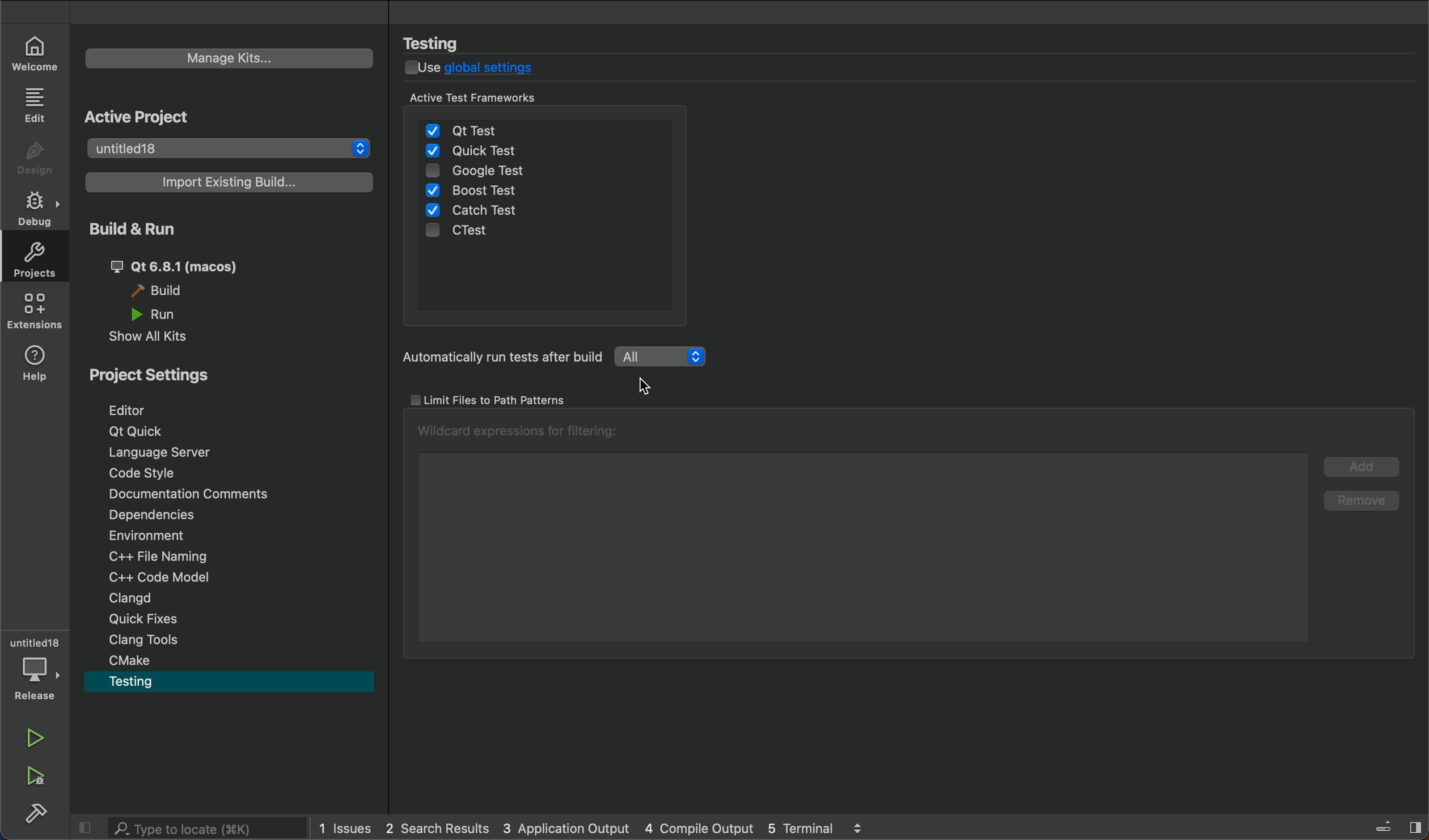 This screenshot has width=1429, height=840. What do you see at coordinates (166, 514) in the screenshot?
I see `dependencies` at bounding box center [166, 514].